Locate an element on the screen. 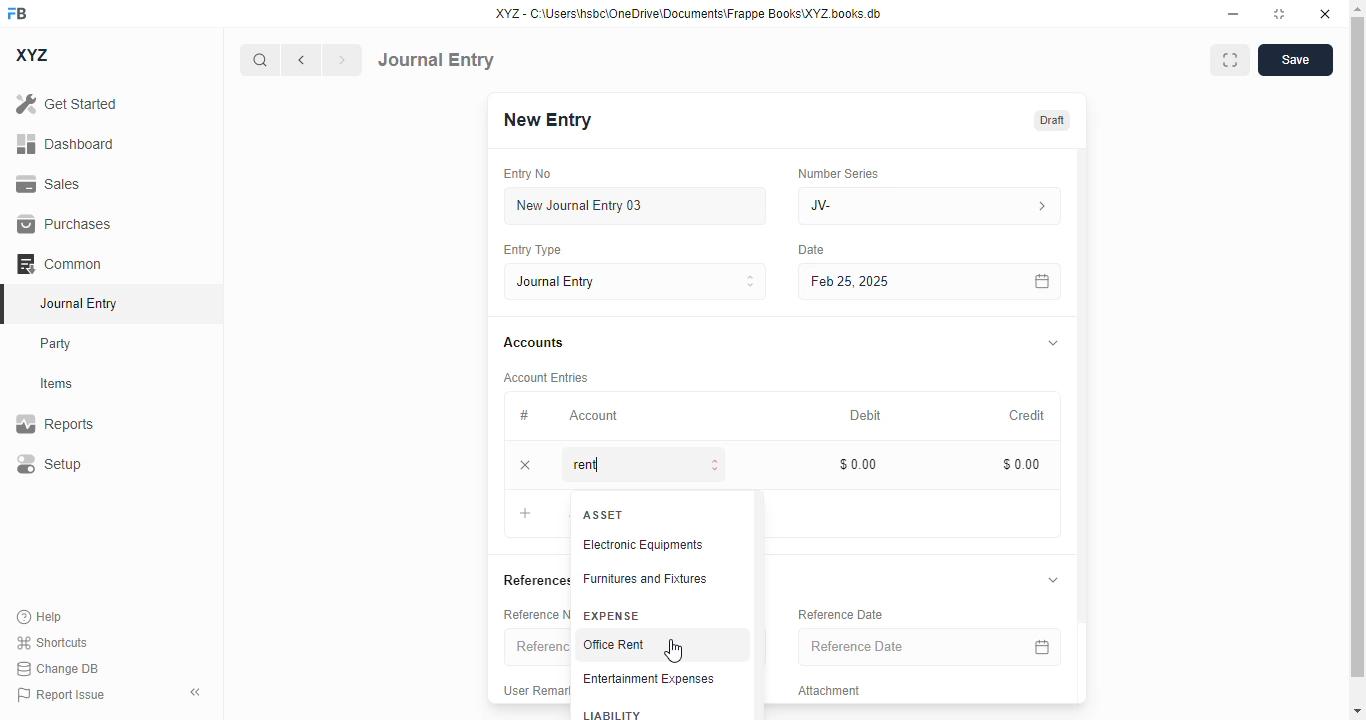 The height and width of the screenshot is (720, 1366). toggle sidebar is located at coordinates (197, 692).